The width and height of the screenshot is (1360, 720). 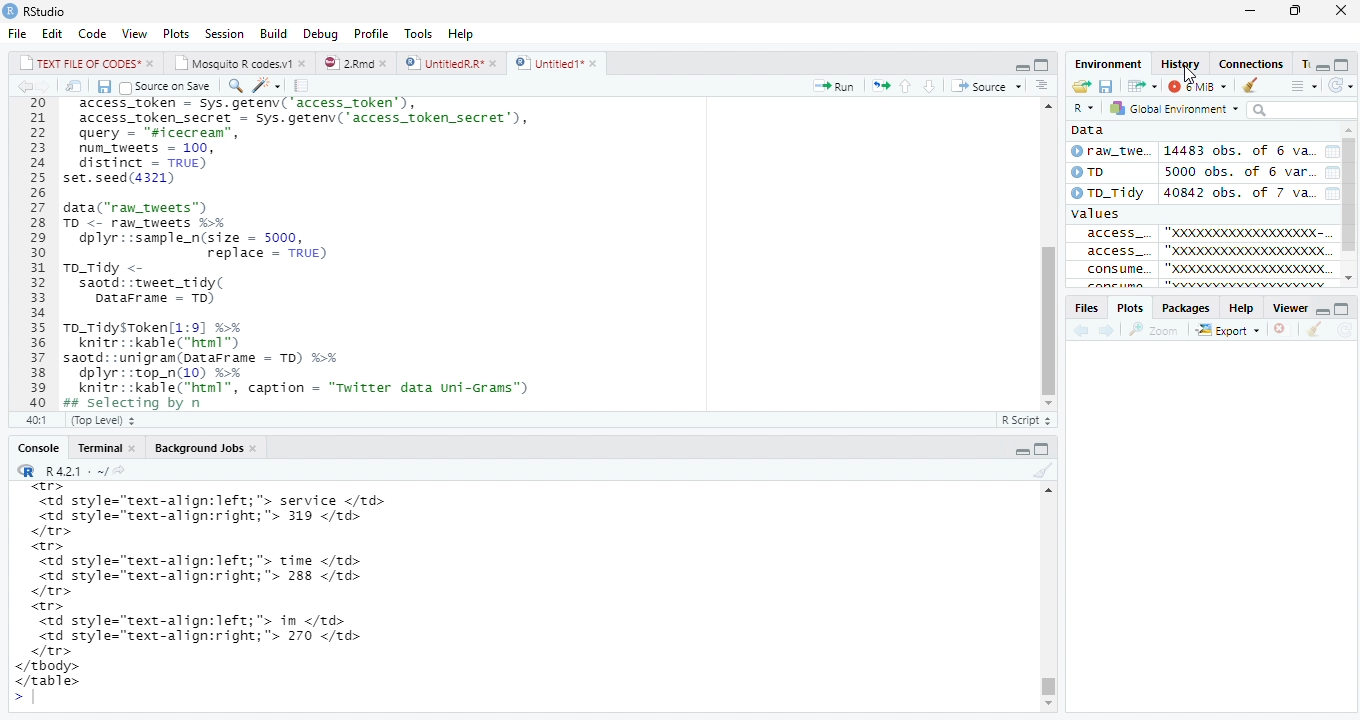 What do you see at coordinates (17, 31) in the screenshot?
I see `File` at bounding box center [17, 31].